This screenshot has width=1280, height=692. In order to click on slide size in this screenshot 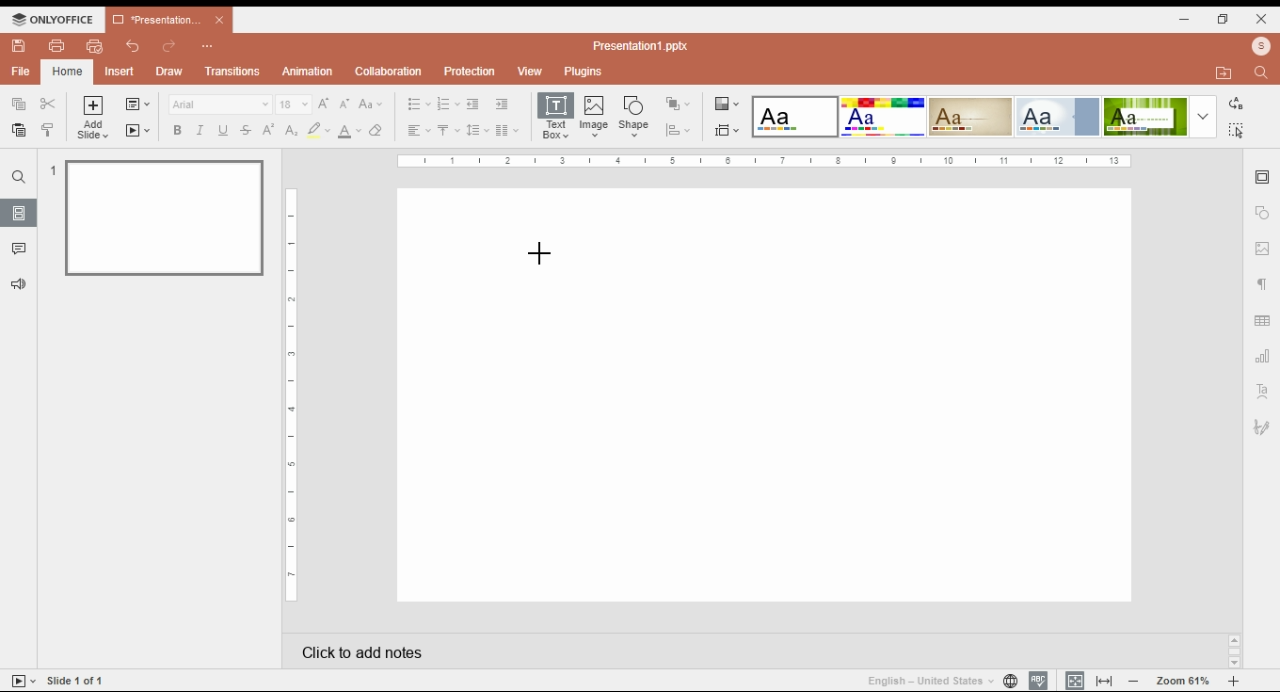, I will do `click(727, 131)`.